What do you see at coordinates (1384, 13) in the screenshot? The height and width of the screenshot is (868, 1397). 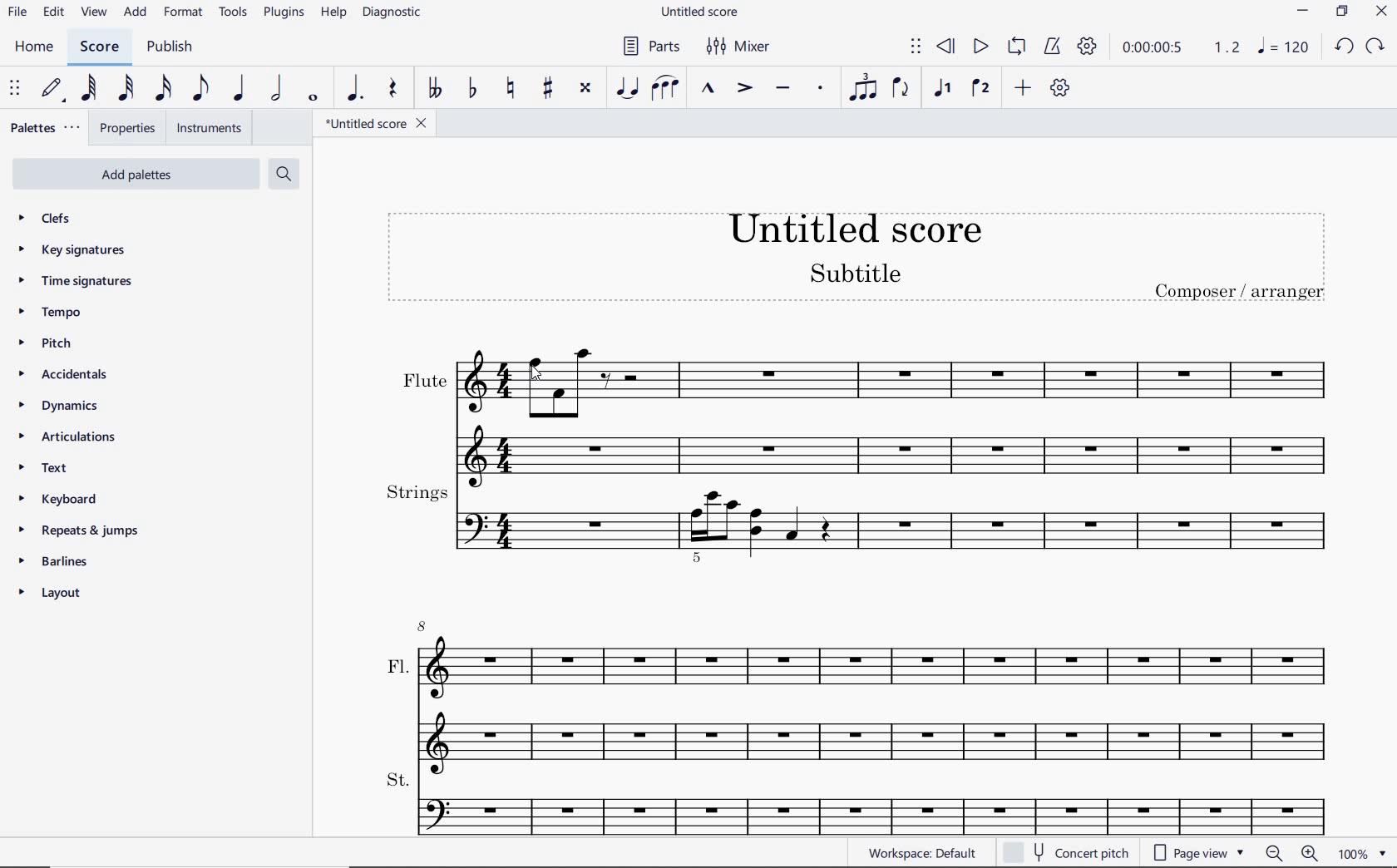 I see `close` at bounding box center [1384, 13].